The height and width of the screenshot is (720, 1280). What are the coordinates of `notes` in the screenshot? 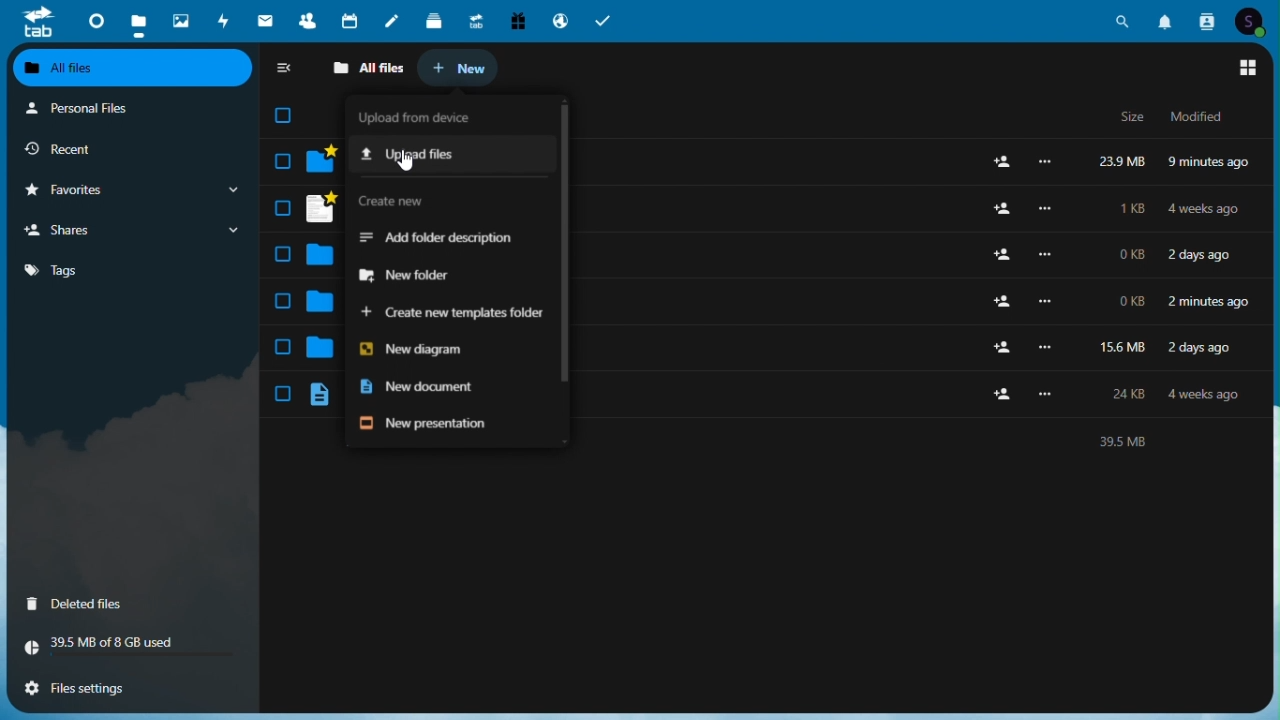 It's located at (396, 19).